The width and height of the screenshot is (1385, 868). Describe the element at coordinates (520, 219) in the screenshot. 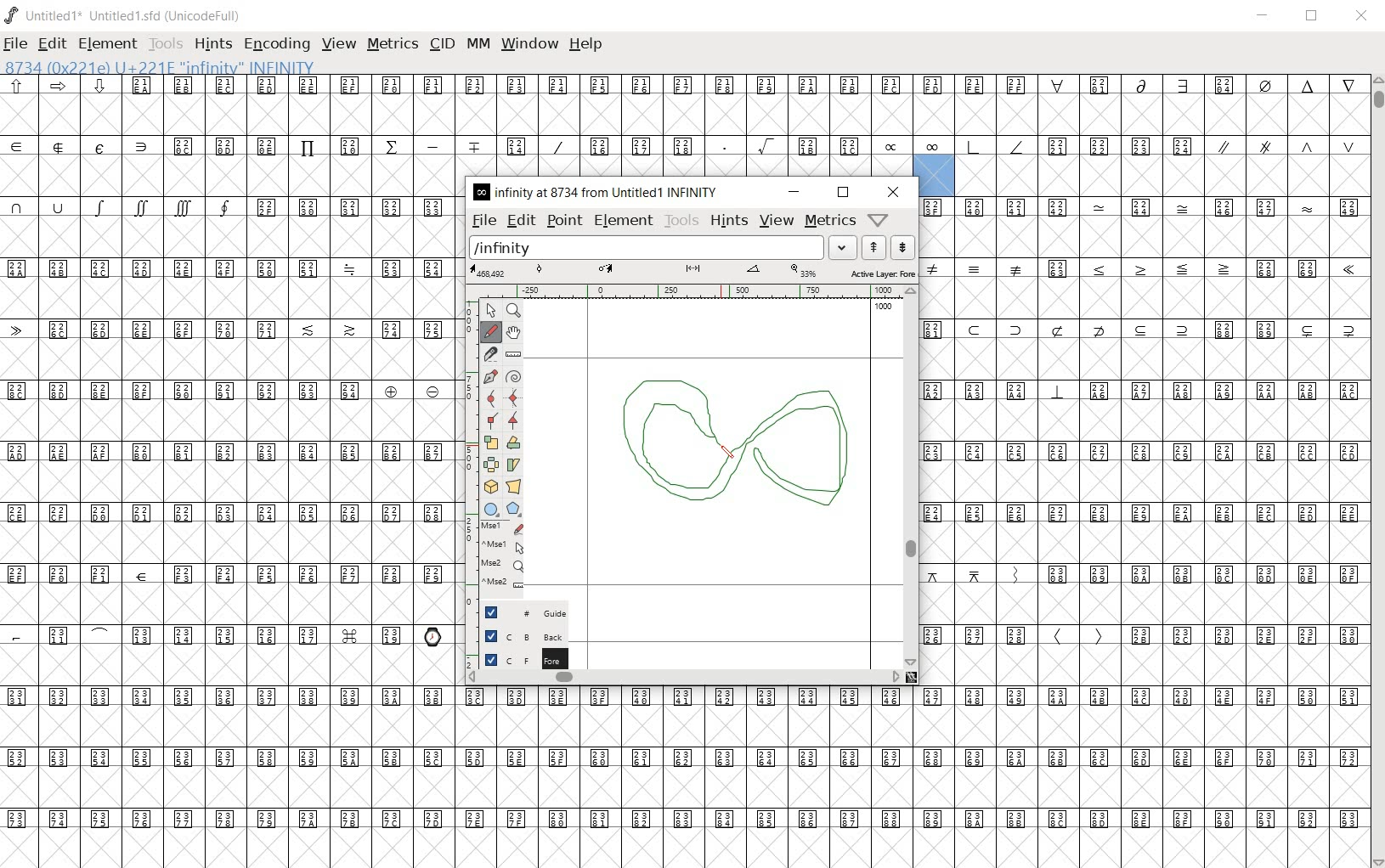

I see `edit` at that location.